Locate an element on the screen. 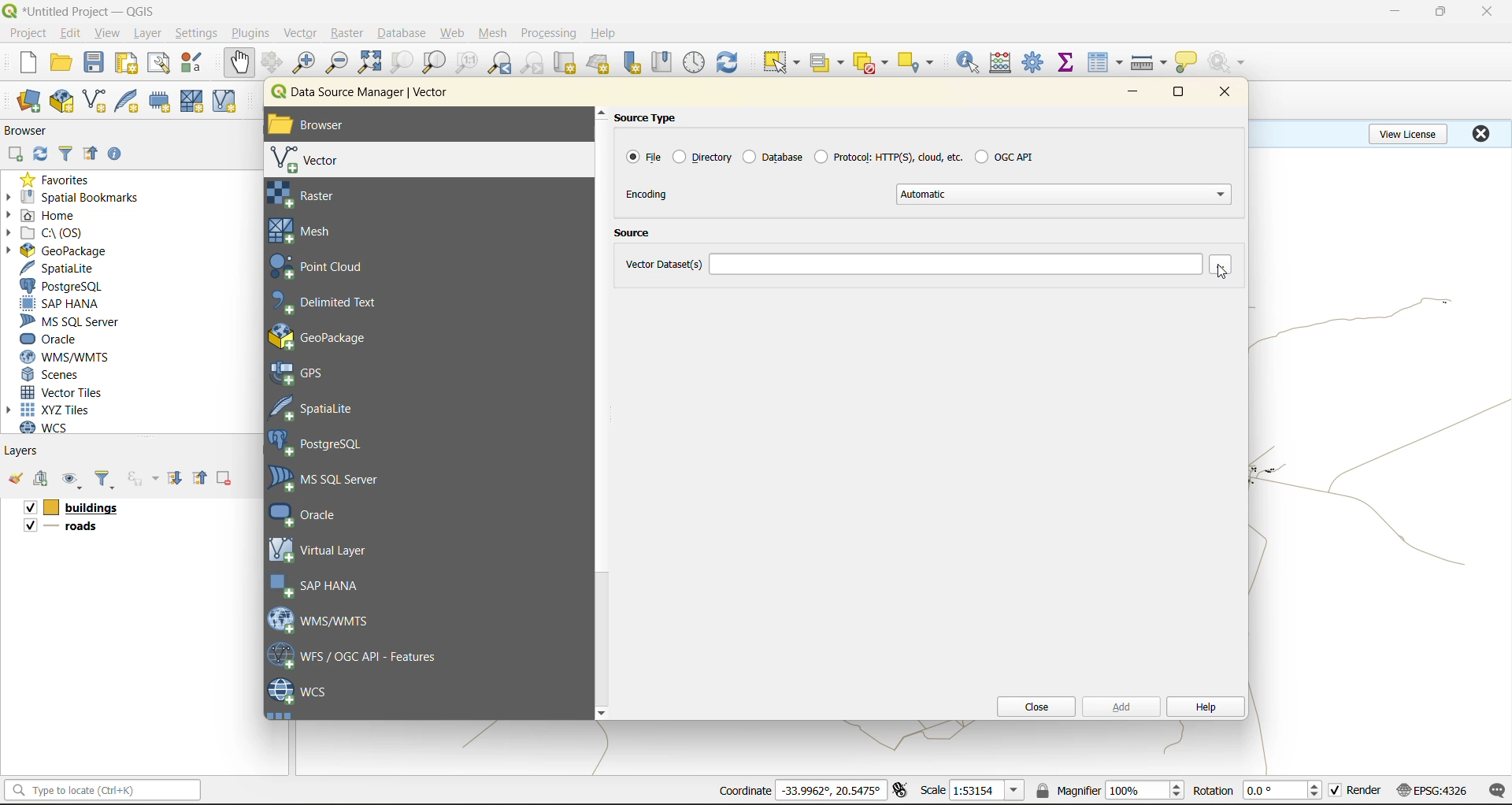 The height and width of the screenshot is (805, 1512). filter is located at coordinates (105, 480).